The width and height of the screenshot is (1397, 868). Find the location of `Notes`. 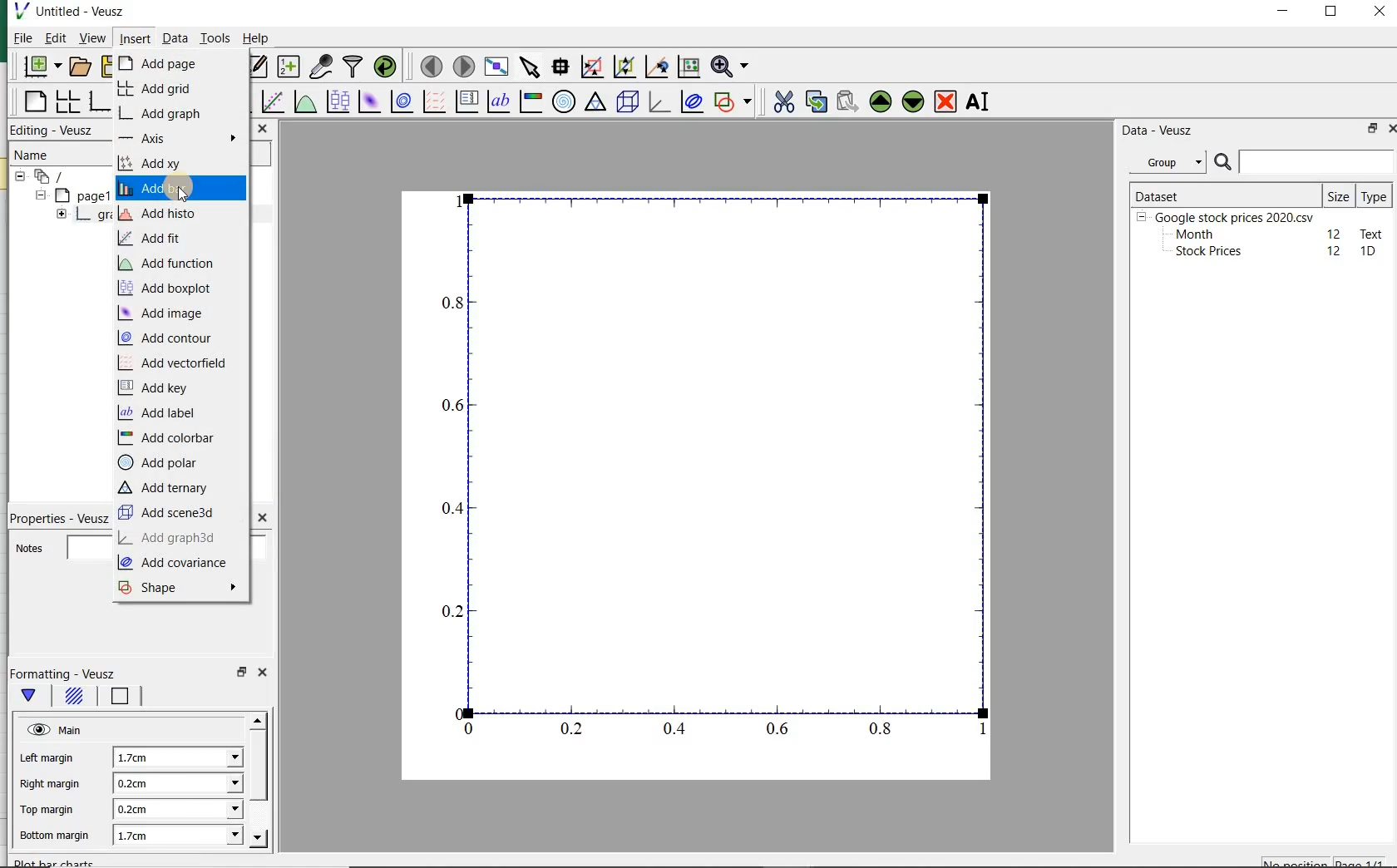

Notes is located at coordinates (61, 547).